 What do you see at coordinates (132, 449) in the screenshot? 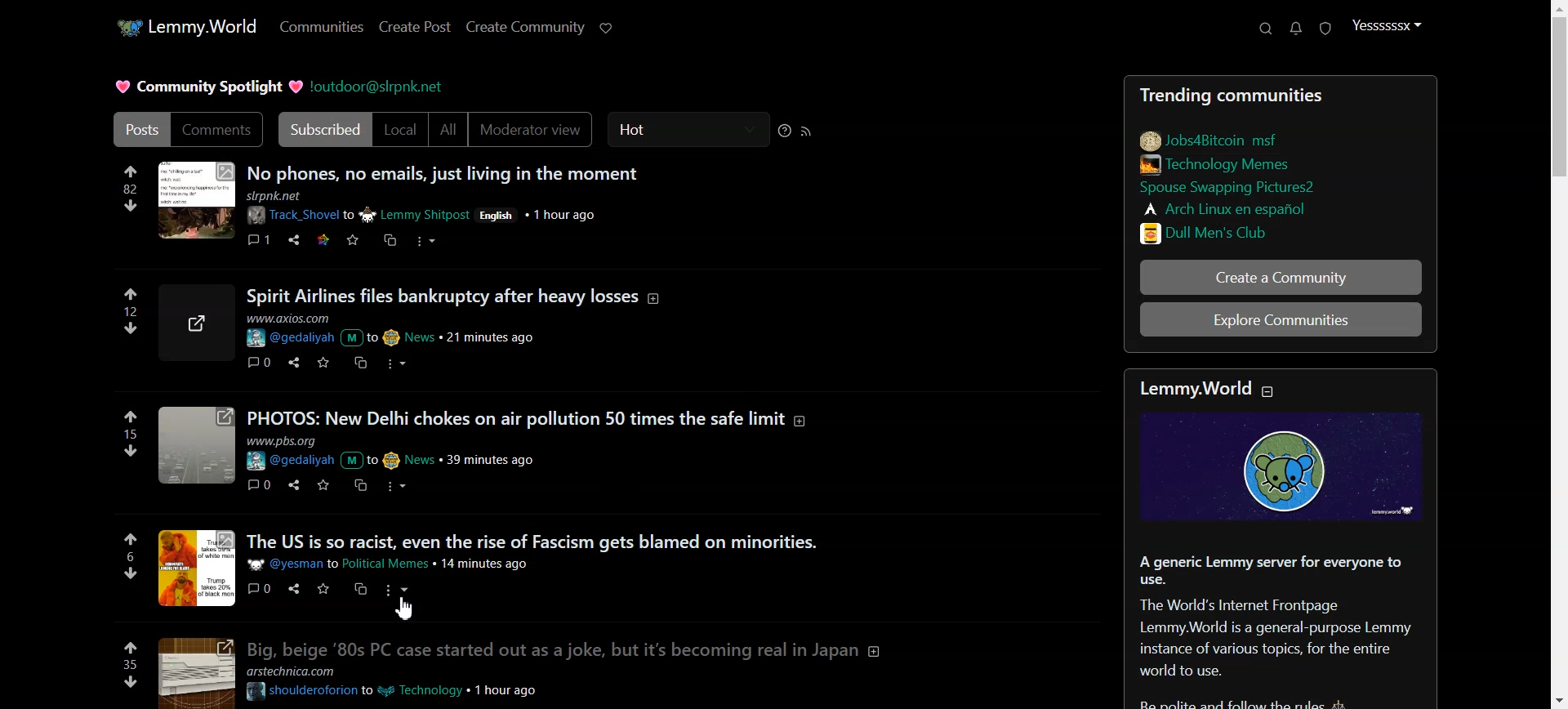
I see `downvote` at bounding box center [132, 449].